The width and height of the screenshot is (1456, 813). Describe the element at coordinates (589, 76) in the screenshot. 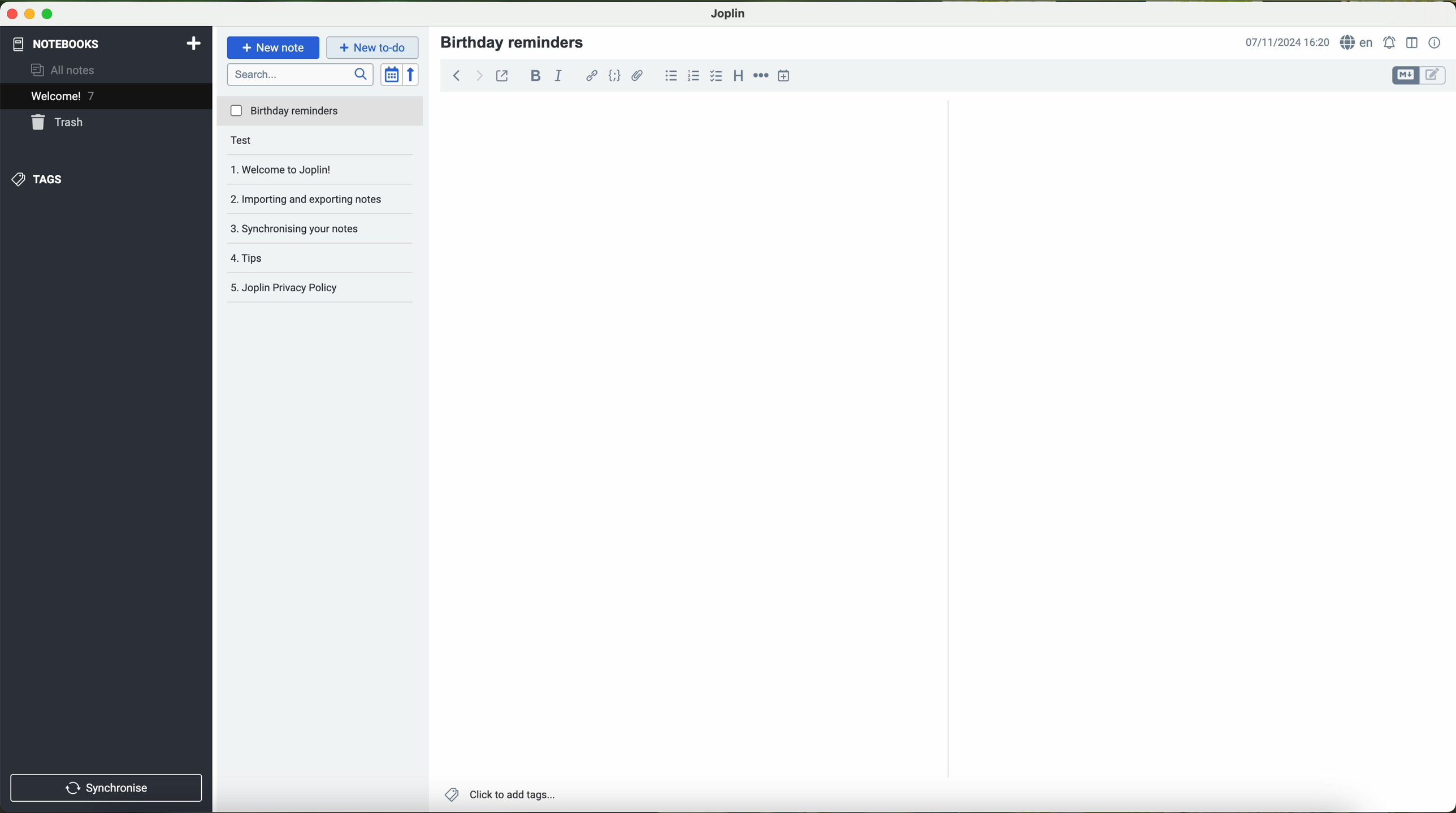

I see `hyperlink` at that location.